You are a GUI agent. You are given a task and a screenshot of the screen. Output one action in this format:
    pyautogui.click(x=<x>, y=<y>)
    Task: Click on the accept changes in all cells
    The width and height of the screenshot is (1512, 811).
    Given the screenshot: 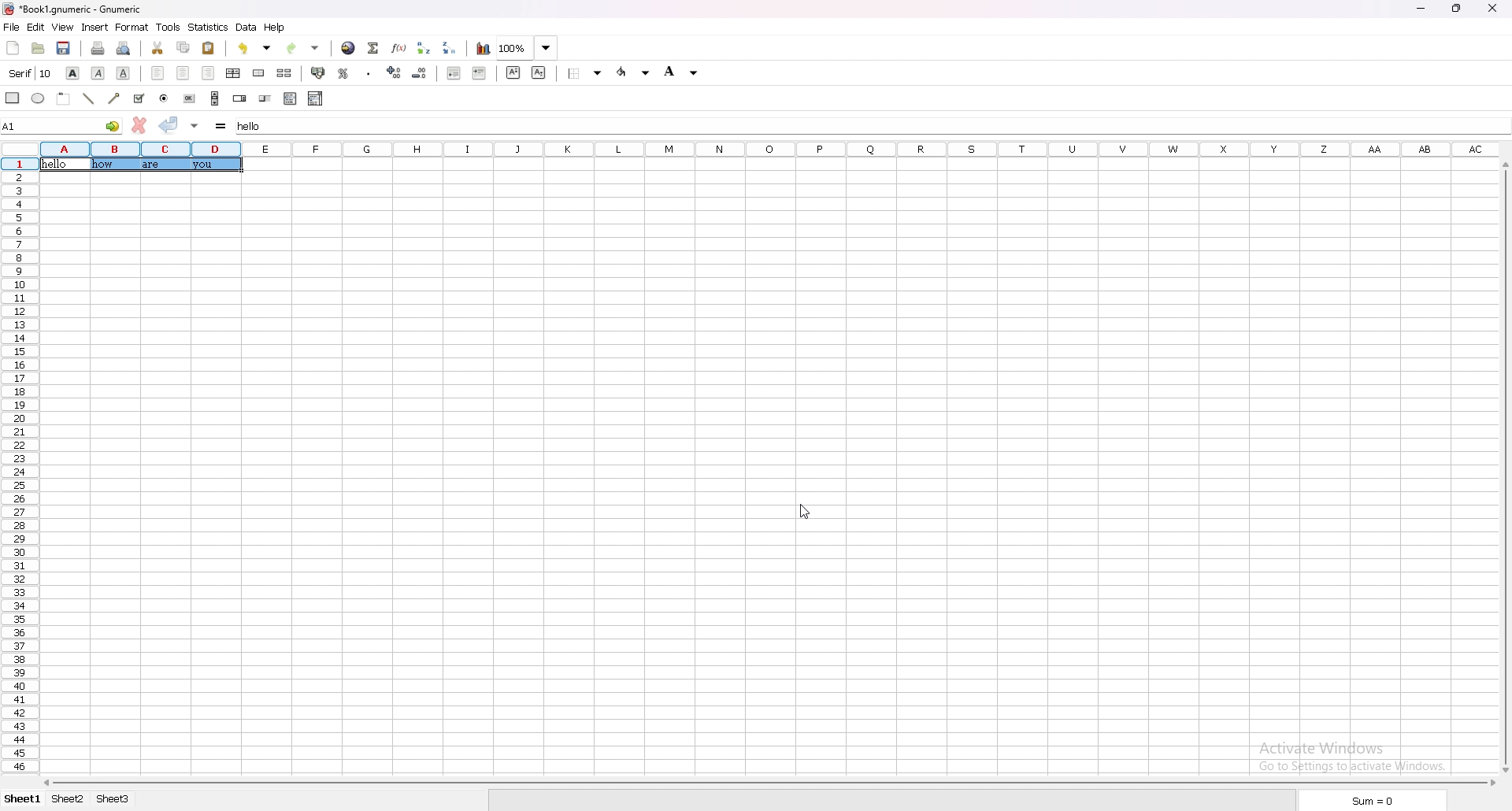 What is the action you would take?
    pyautogui.click(x=195, y=125)
    